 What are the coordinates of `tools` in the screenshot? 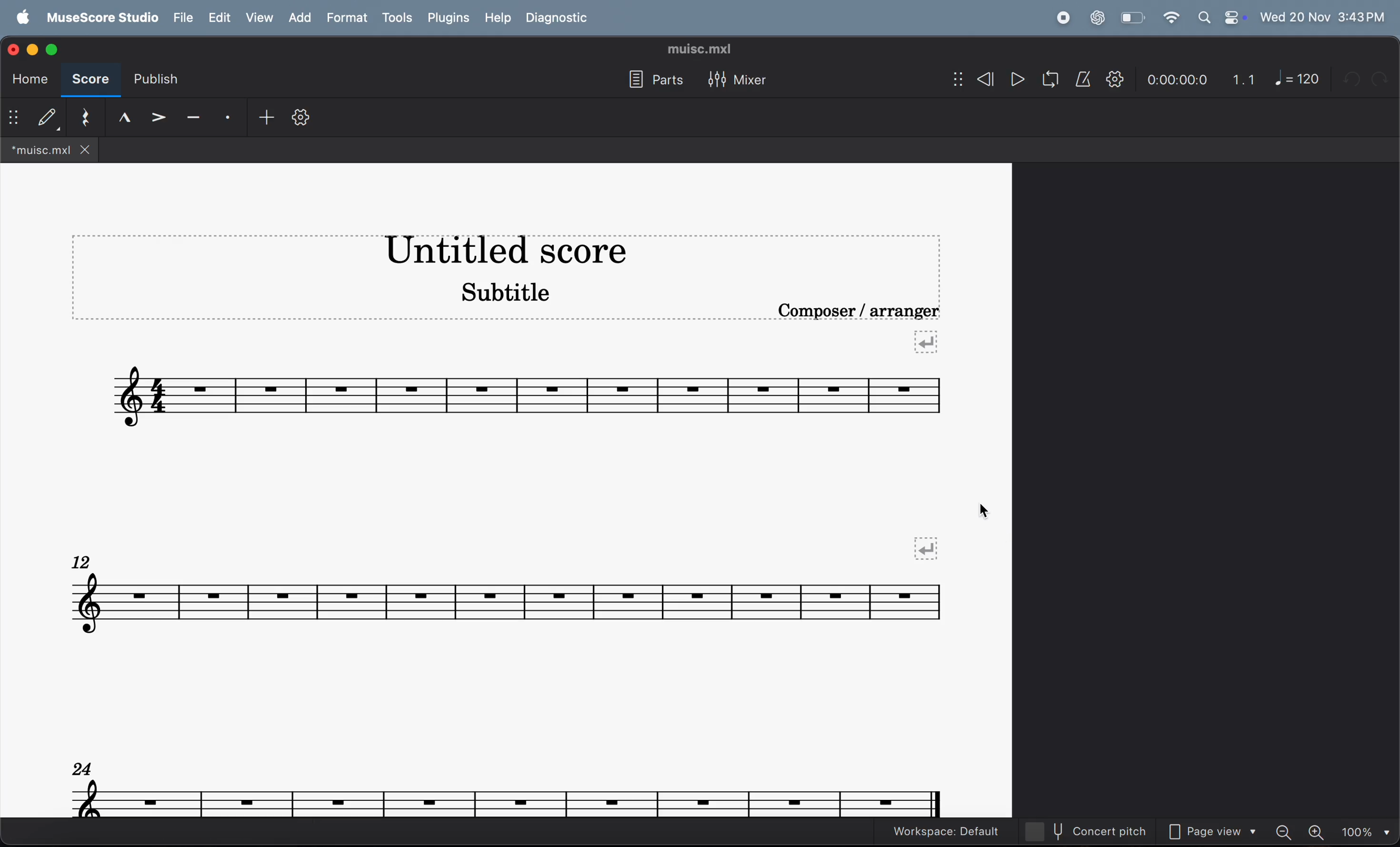 It's located at (398, 19).